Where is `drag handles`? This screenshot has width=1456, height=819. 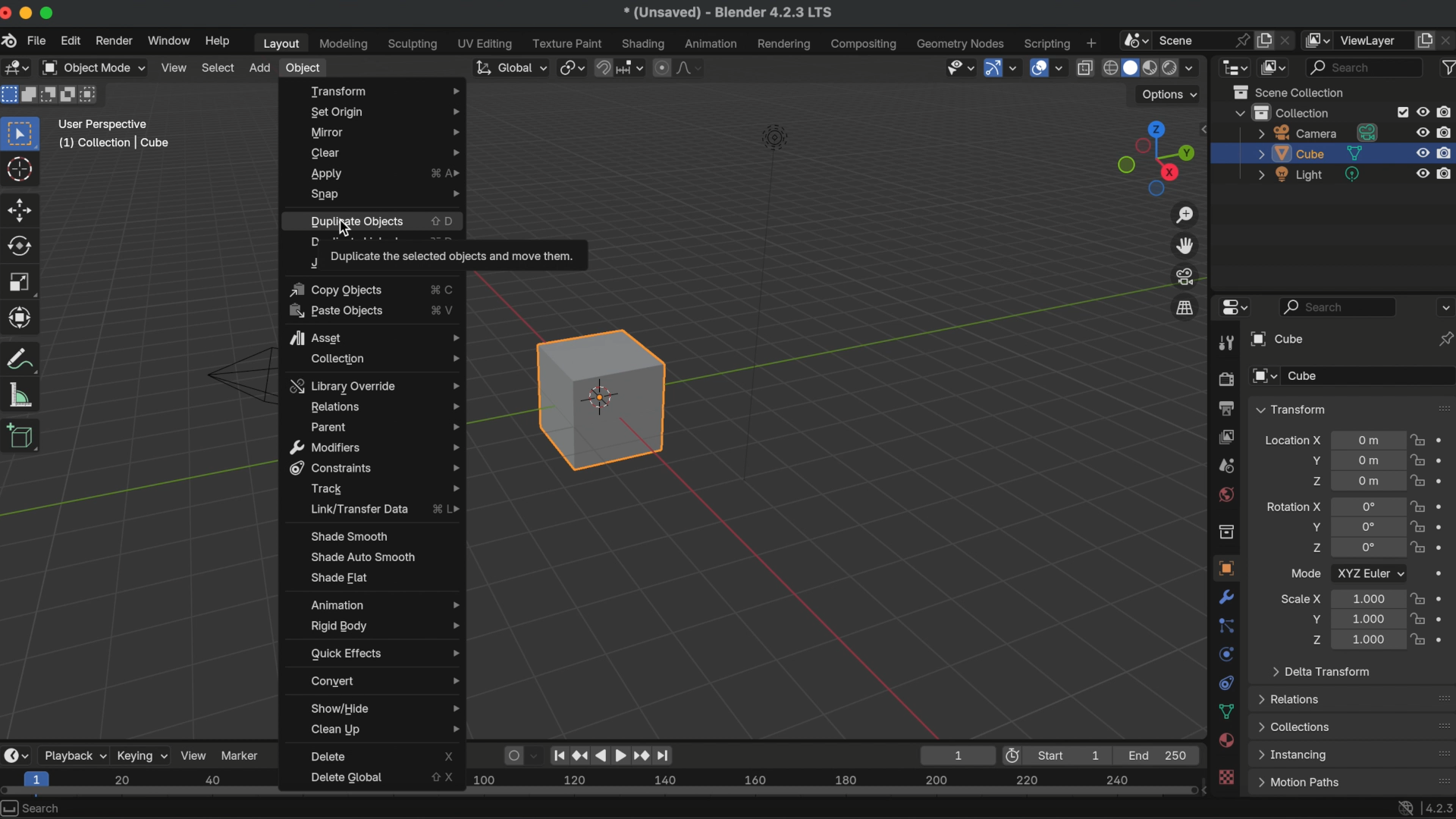
drag handles is located at coordinates (1442, 407).